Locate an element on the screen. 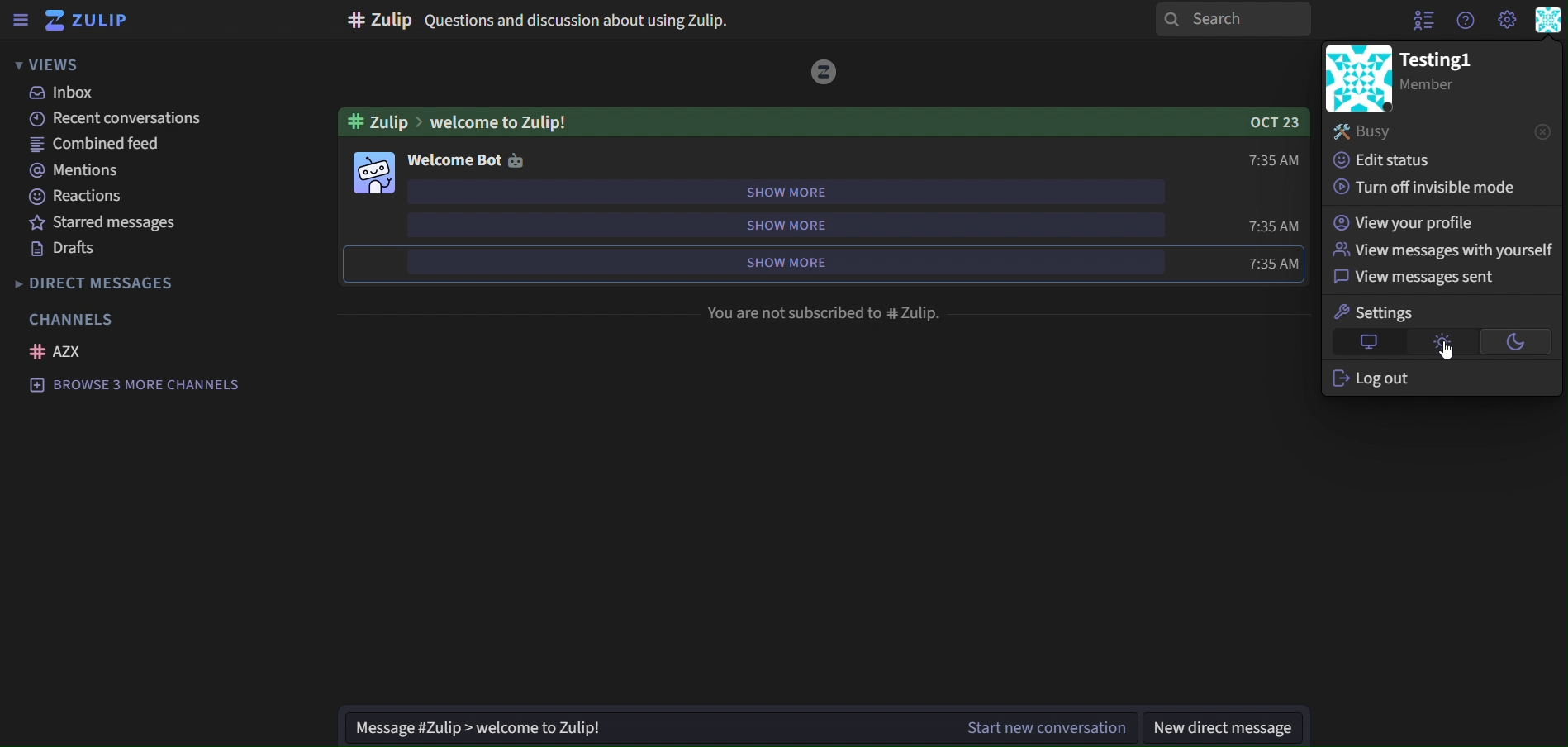 The height and width of the screenshot is (747, 1568). time is located at coordinates (1276, 226).